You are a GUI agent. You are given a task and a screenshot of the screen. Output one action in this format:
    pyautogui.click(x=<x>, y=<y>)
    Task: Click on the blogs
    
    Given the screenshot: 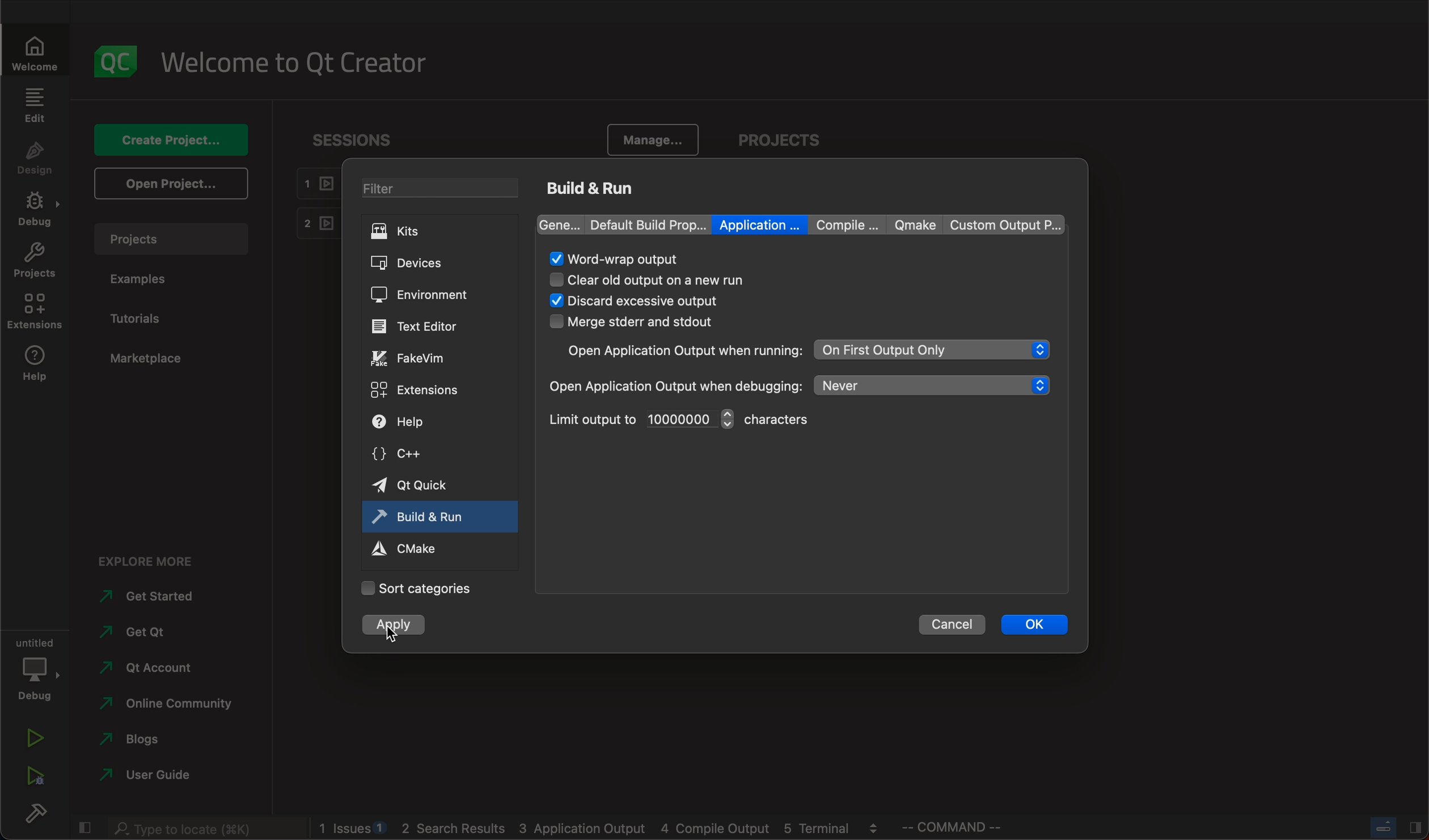 What is the action you would take?
    pyautogui.click(x=602, y=828)
    